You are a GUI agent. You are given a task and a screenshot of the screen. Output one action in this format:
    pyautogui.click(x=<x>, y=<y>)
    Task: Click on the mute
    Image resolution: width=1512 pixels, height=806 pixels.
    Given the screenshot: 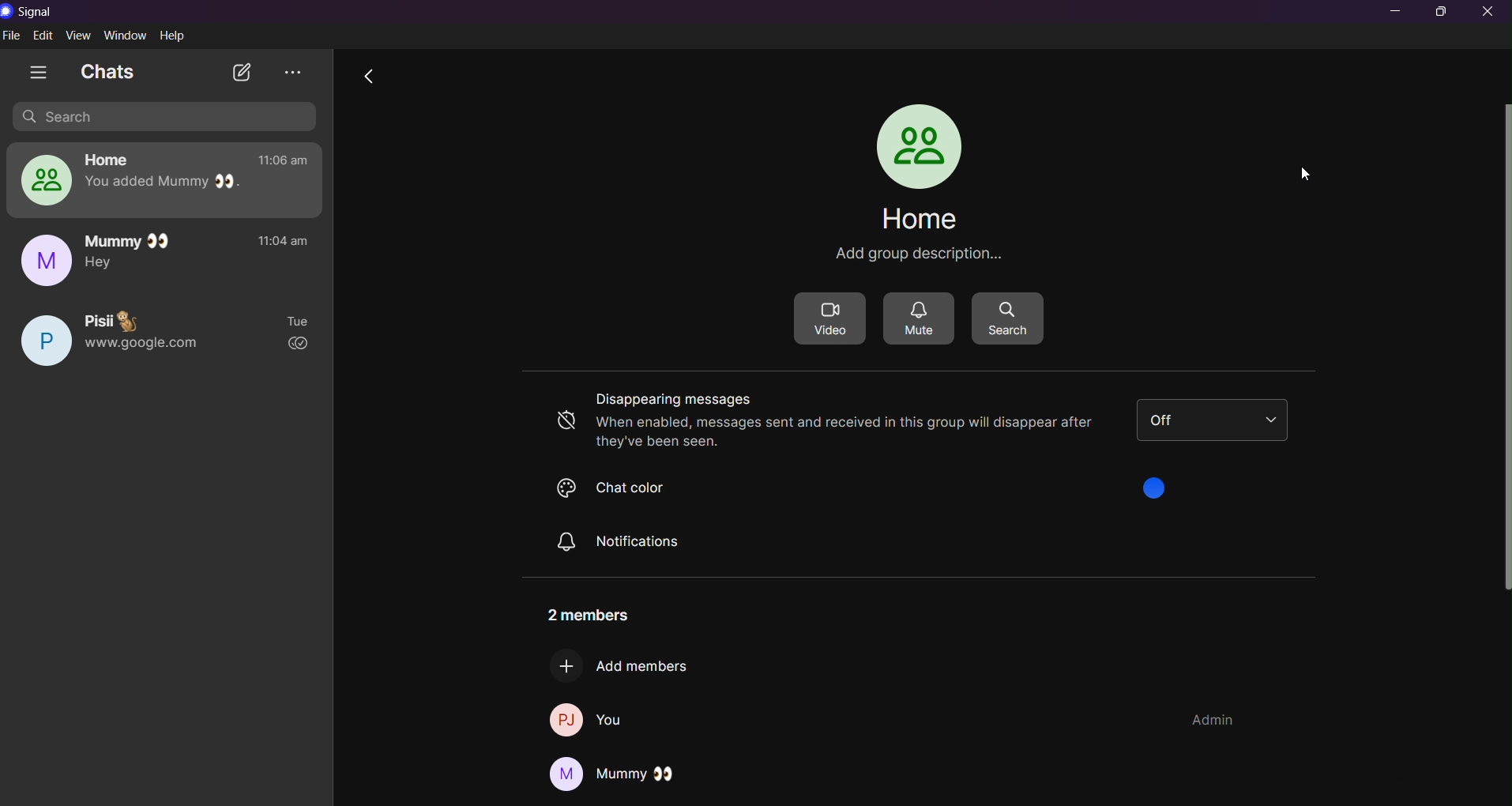 What is the action you would take?
    pyautogui.click(x=920, y=315)
    